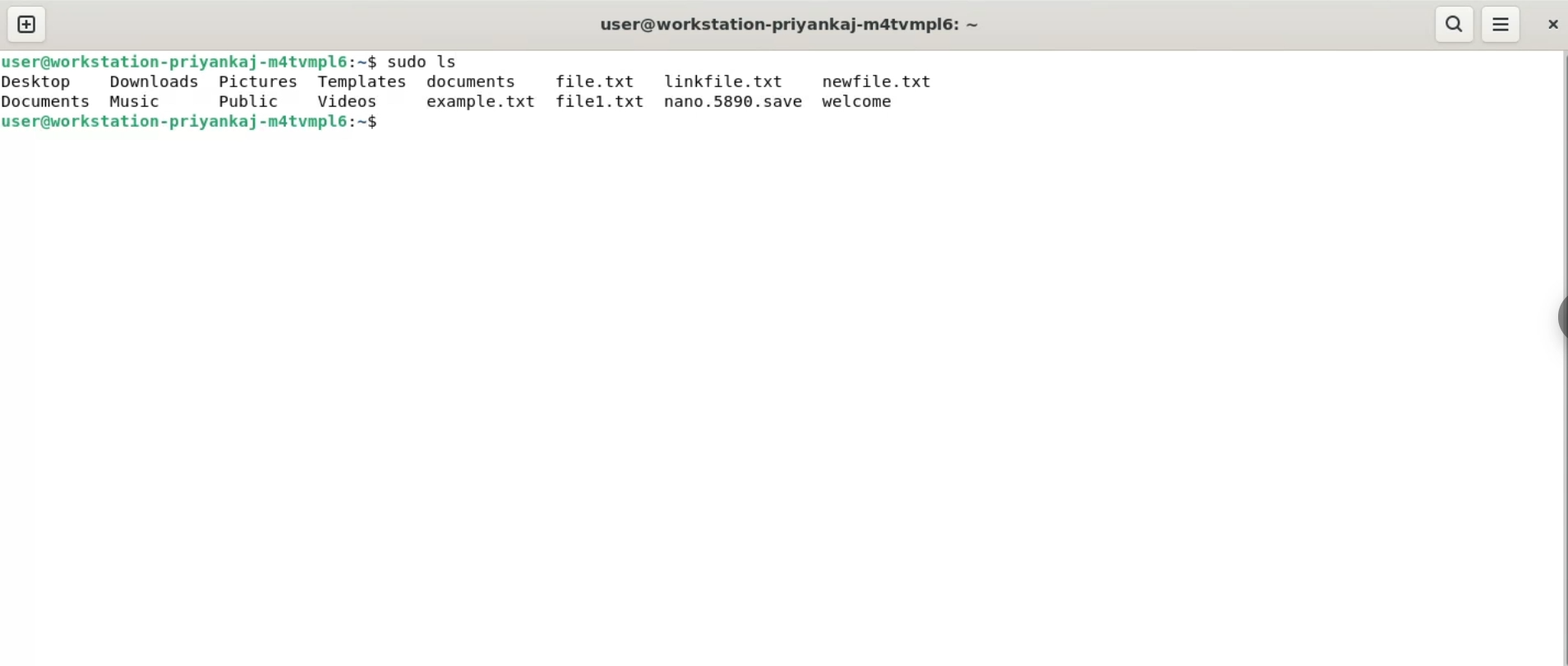 This screenshot has width=1568, height=666. I want to click on templates, so click(362, 83).